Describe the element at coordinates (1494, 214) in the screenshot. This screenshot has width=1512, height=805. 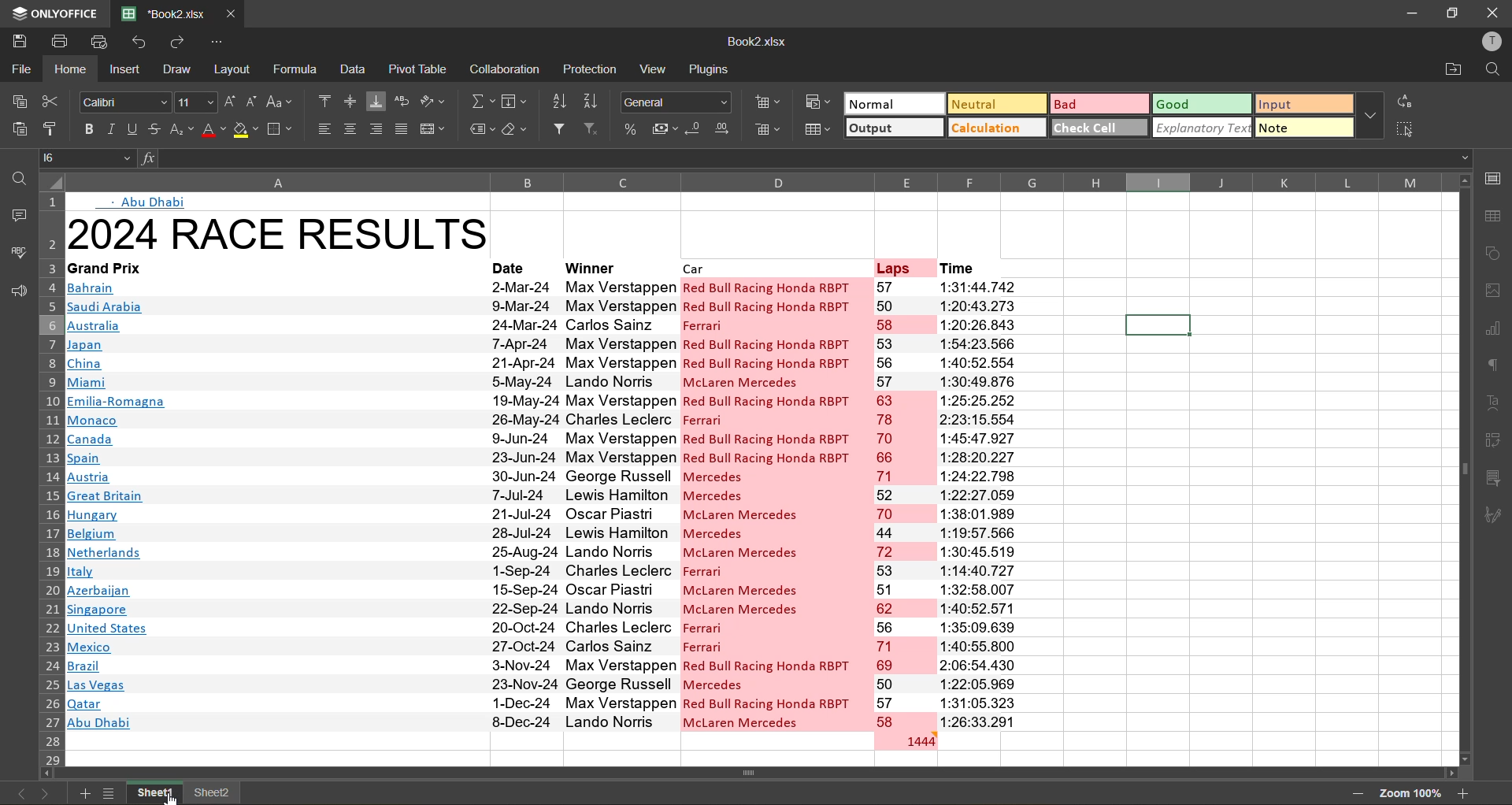
I see `table` at that location.